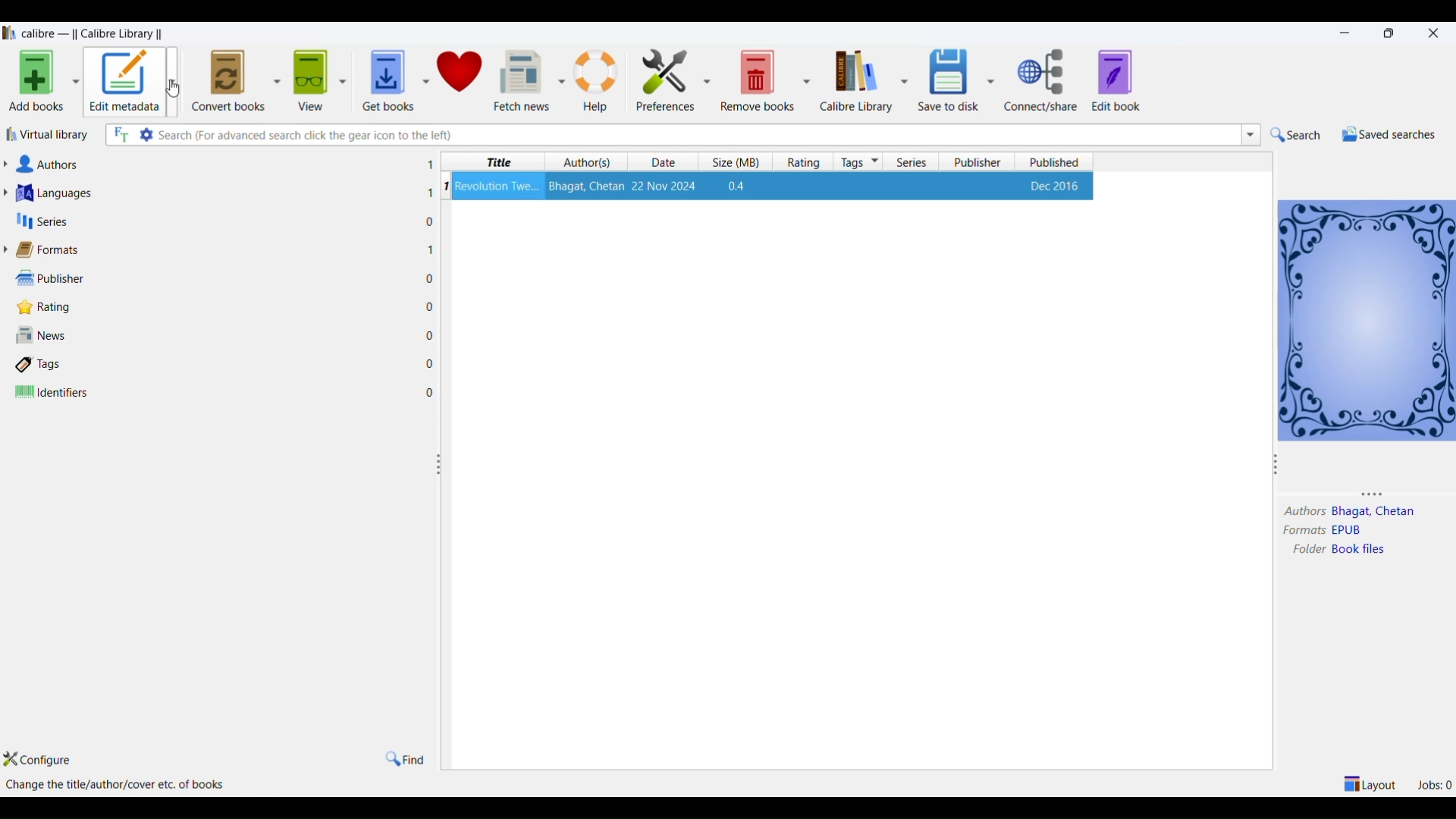 The height and width of the screenshot is (819, 1456). Describe the element at coordinates (340, 75) in the screenshot. I see `view options dropdown button` at that location.